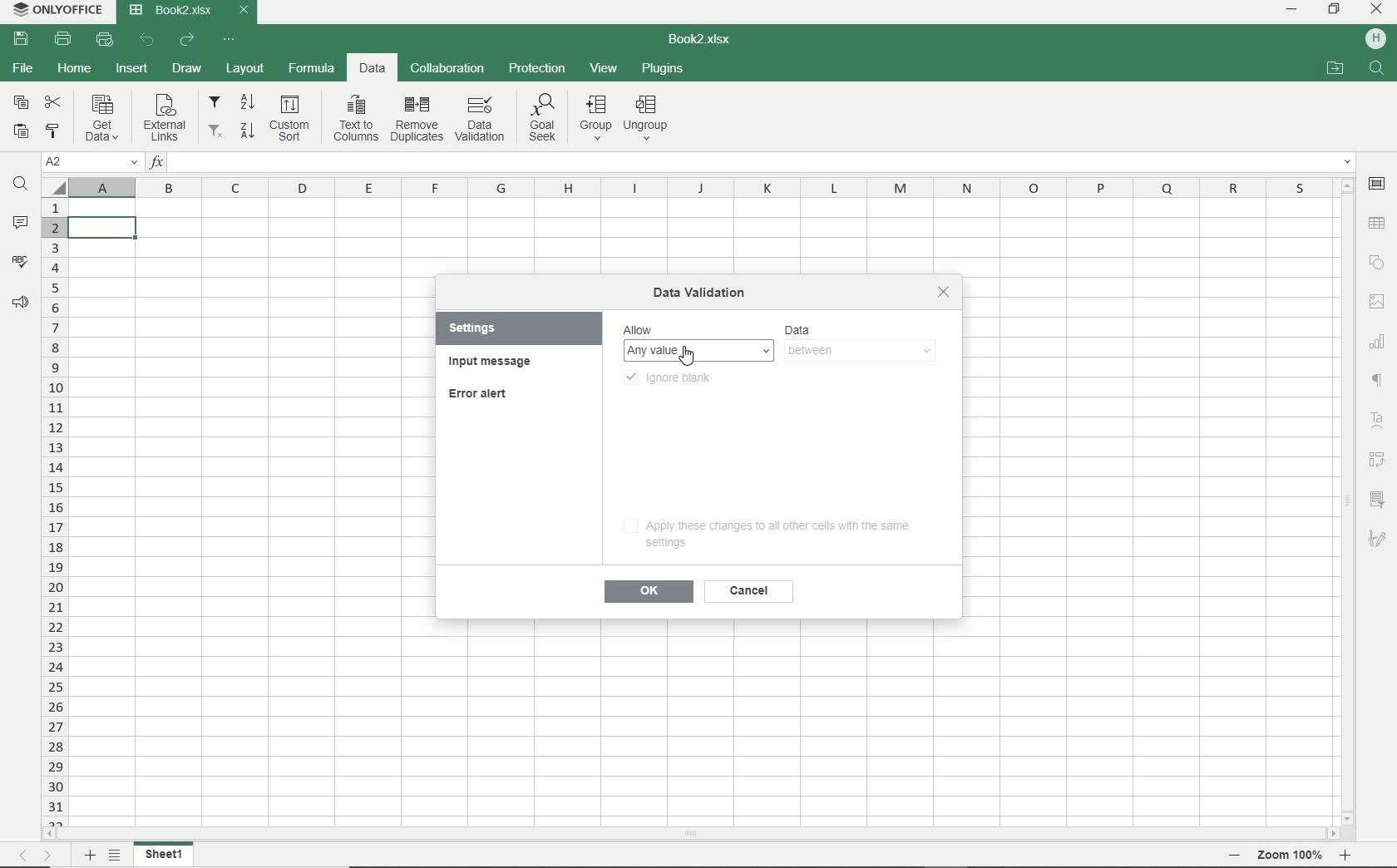 This screenshot has height=868, width=1397. Describe the element at coordinates (187, 68) in the screenshot. I see `DRAW` at that location.